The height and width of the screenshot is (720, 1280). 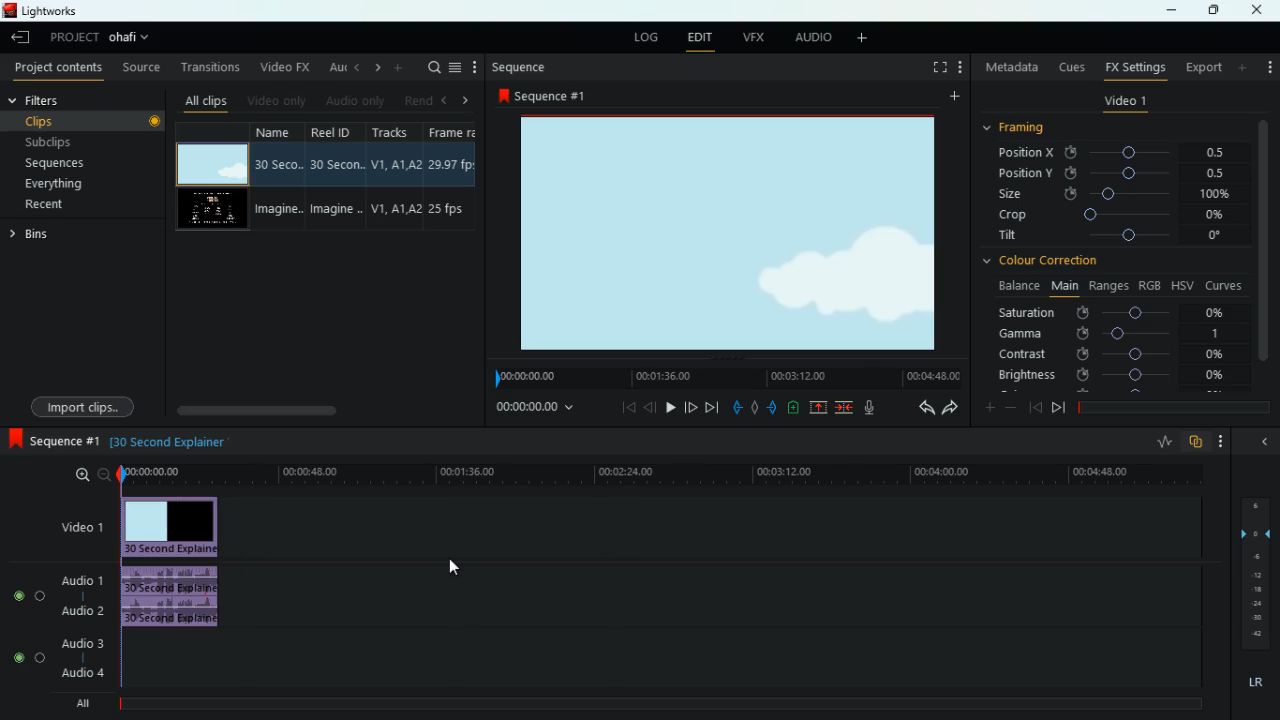 What do you see at coordinates (1068, 68) in the screenshot?
I see `cues` at bounding box center [1068, 68].